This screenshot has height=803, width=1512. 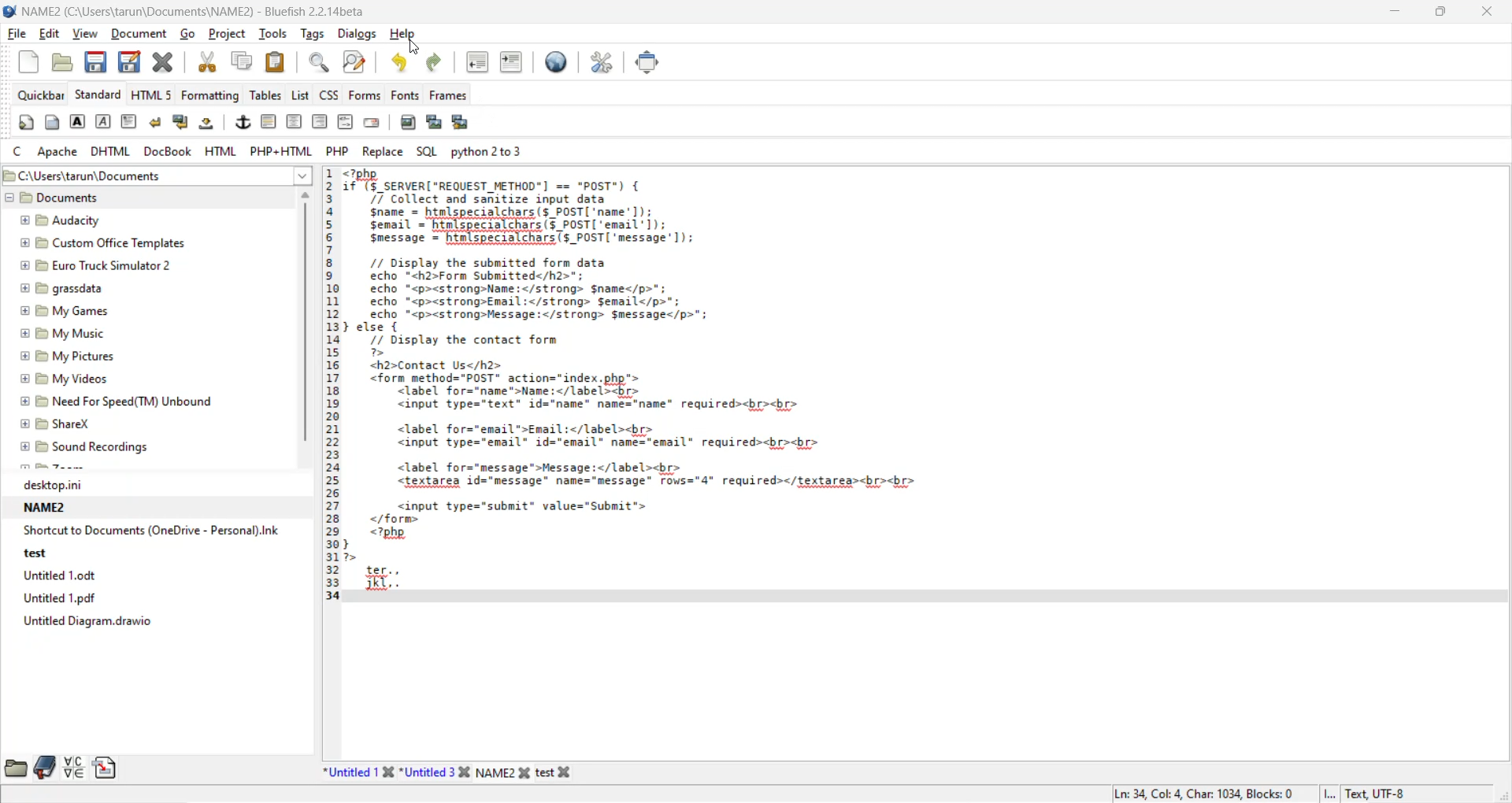 I want to click on docbook, so click(x=169, y=150).